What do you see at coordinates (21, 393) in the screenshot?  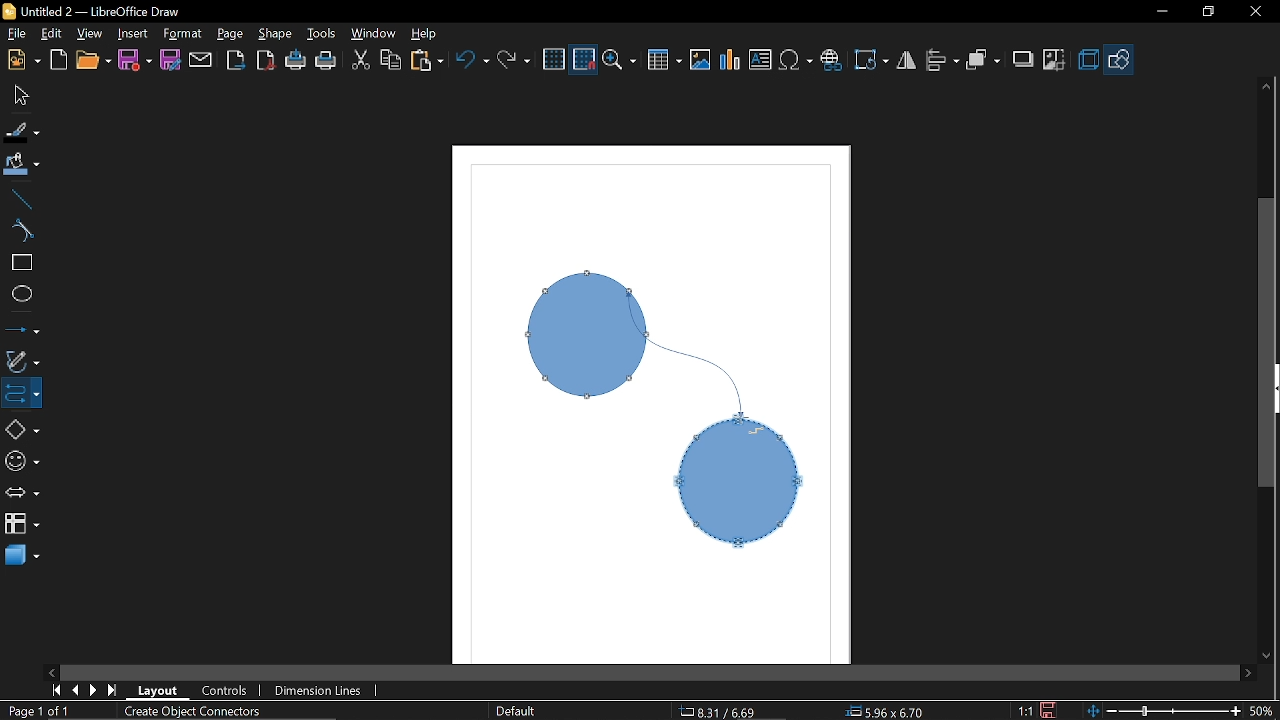 I see `COnnector` at bounding box center [21, 393].